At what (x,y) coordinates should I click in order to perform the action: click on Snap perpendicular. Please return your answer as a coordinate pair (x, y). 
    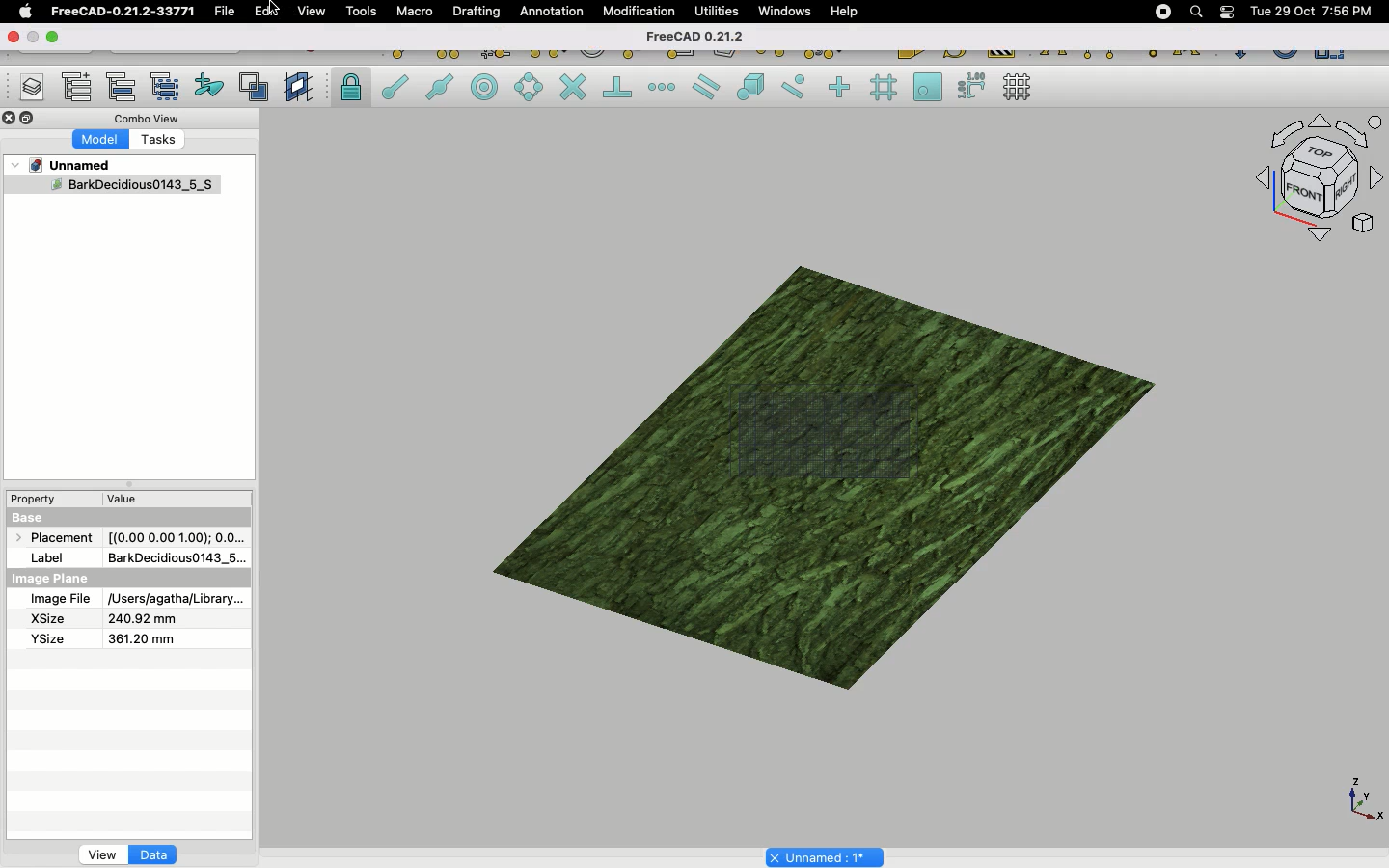
    Looking at the image, I should click on (620, 89).